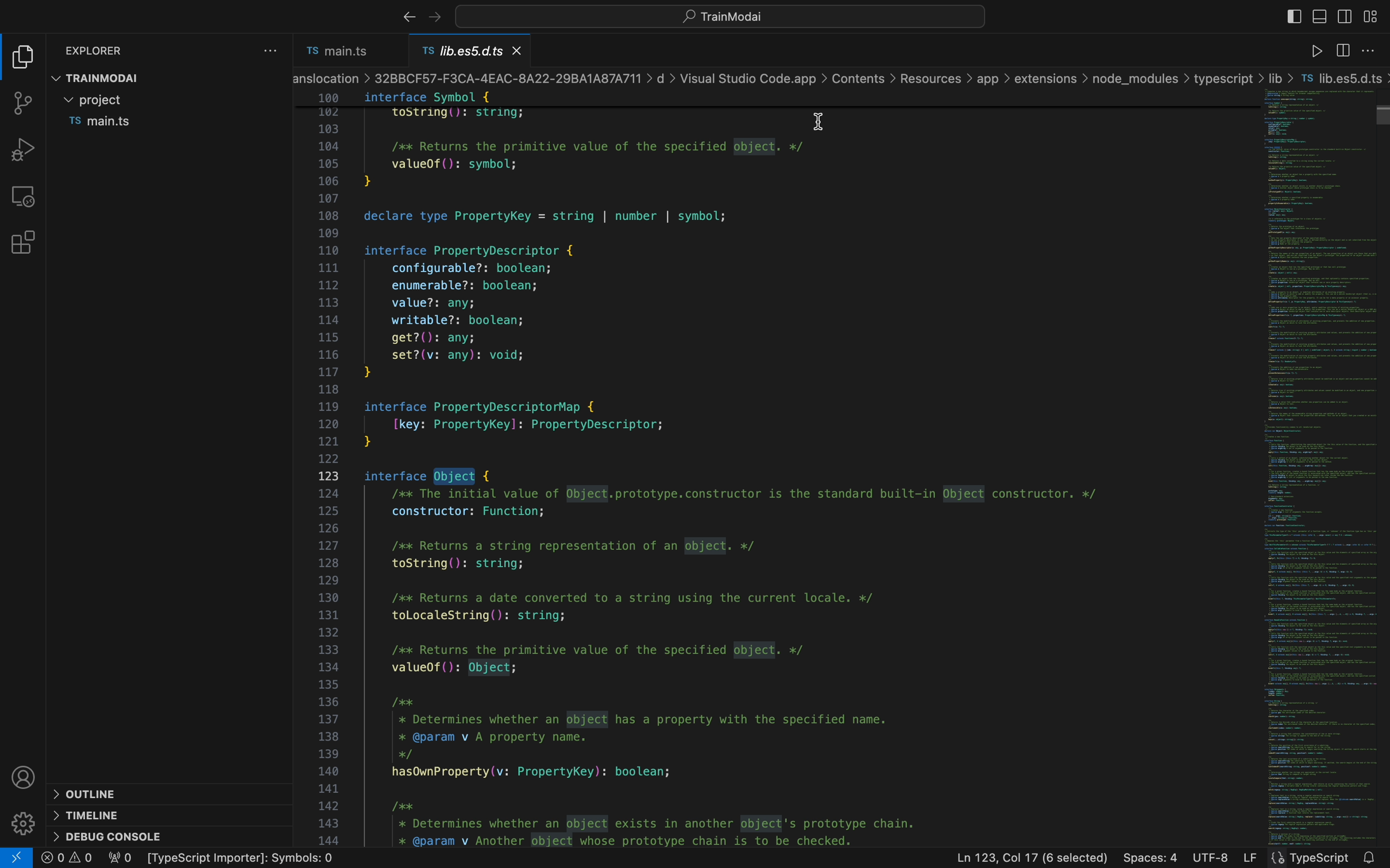 This screenshot has height=868, width=1390. What do you see at coordinates (1286, 14) in the screenshot?
I see `sidebar` at bounding box center [1286, 14].